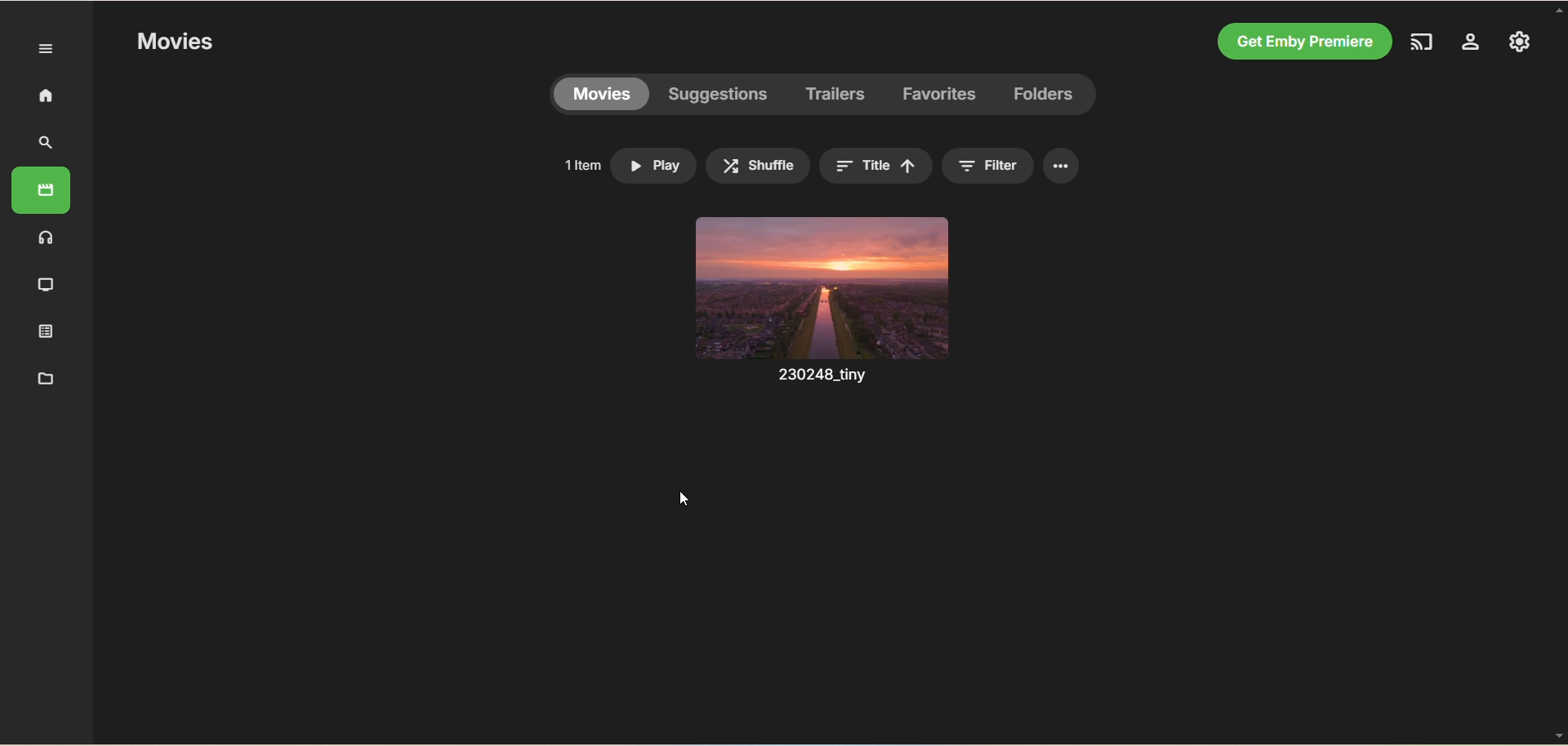  I want to click on metadata manager, so click(42, 379).